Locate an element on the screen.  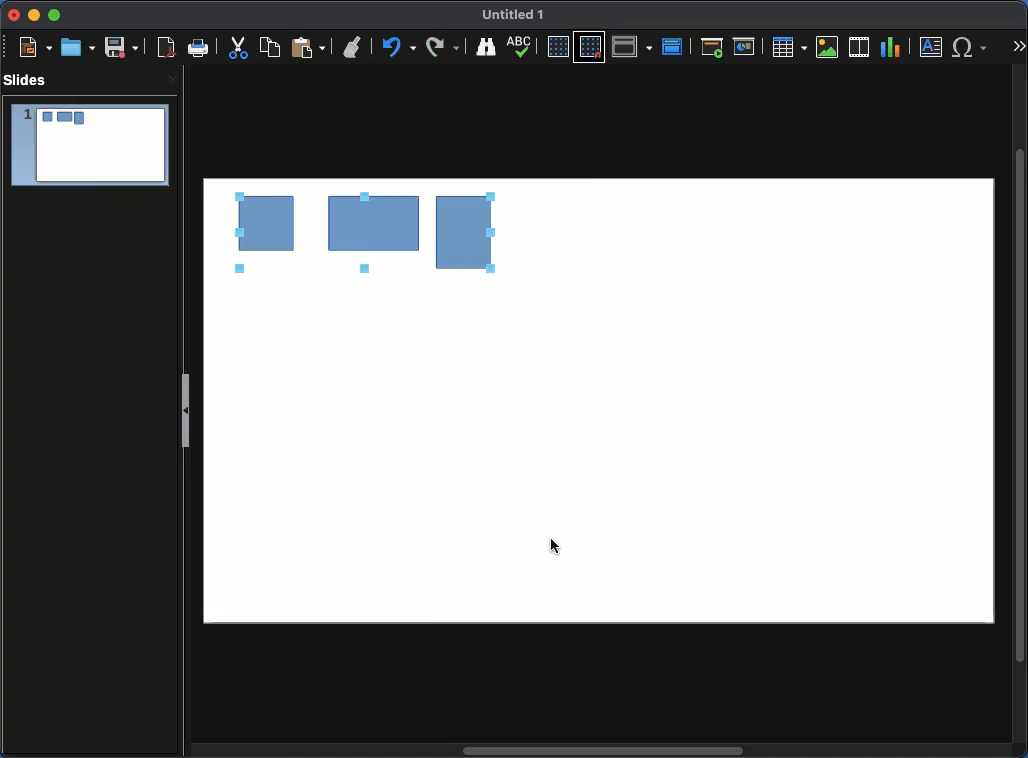
Minimize is located at coordinates (33, 16).